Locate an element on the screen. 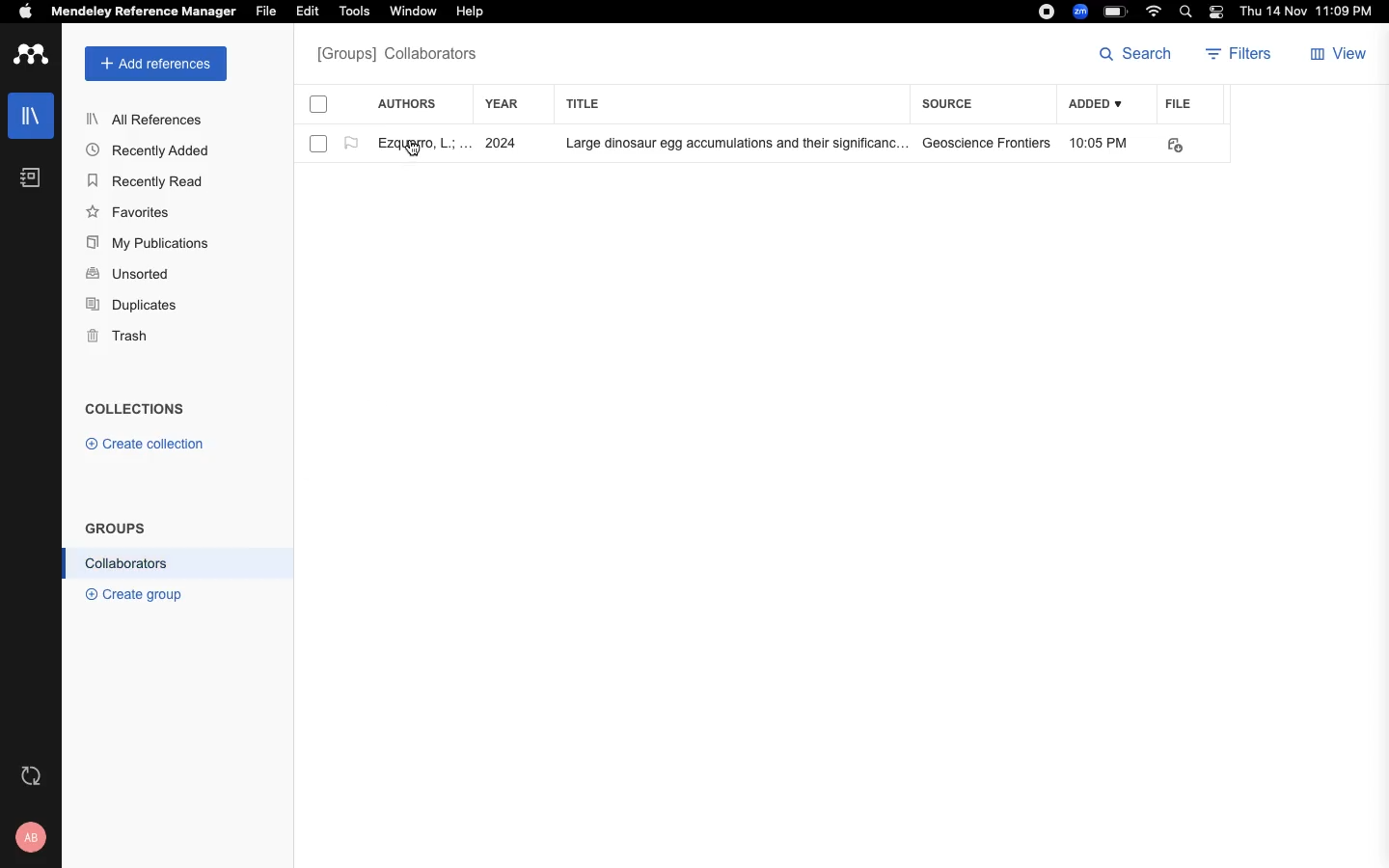 This screenshot has width=1389, height=868. All references is located at coordinates (396, 56).